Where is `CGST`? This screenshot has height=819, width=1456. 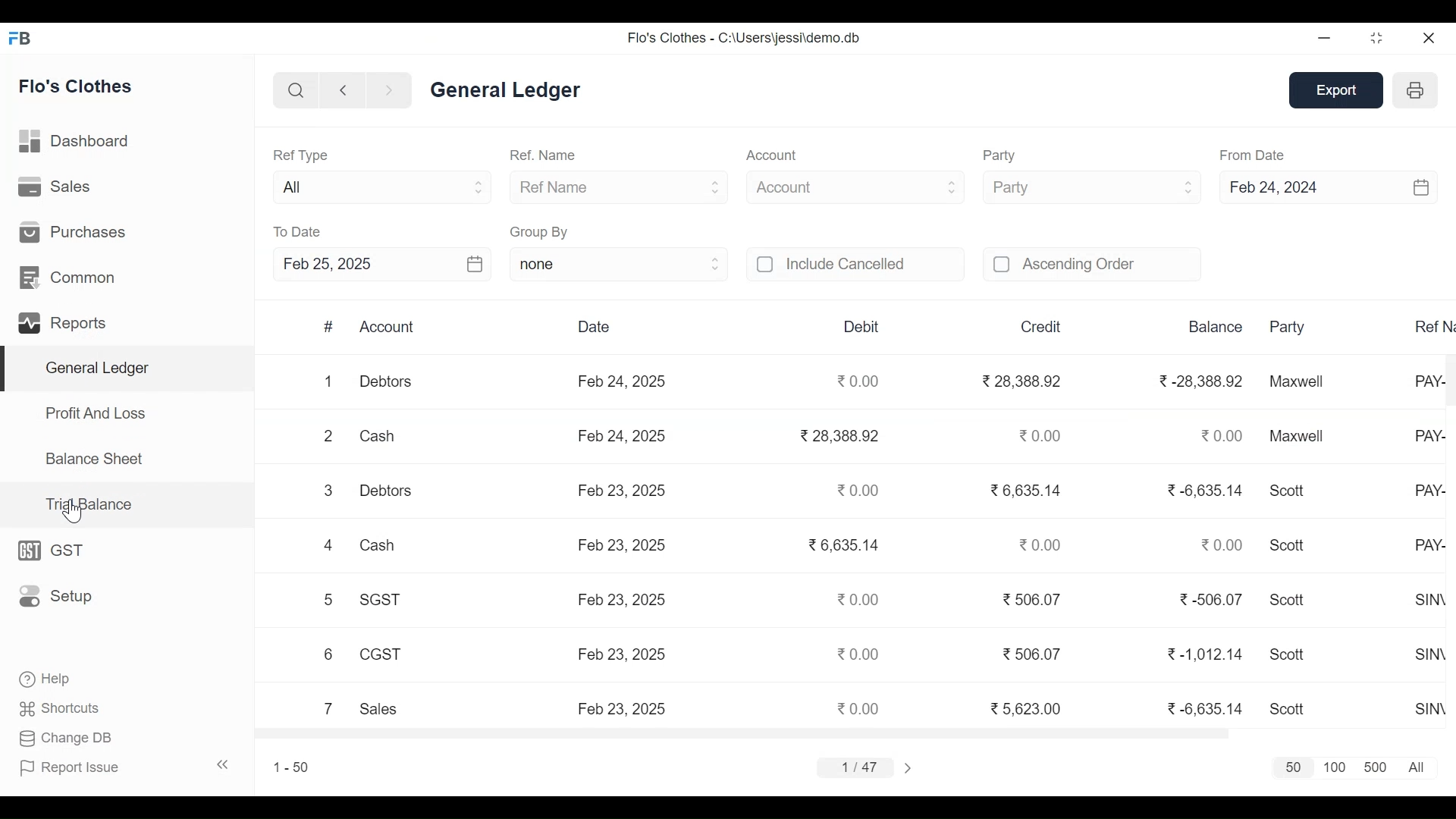 CGST is located at coordinates (379, 654).